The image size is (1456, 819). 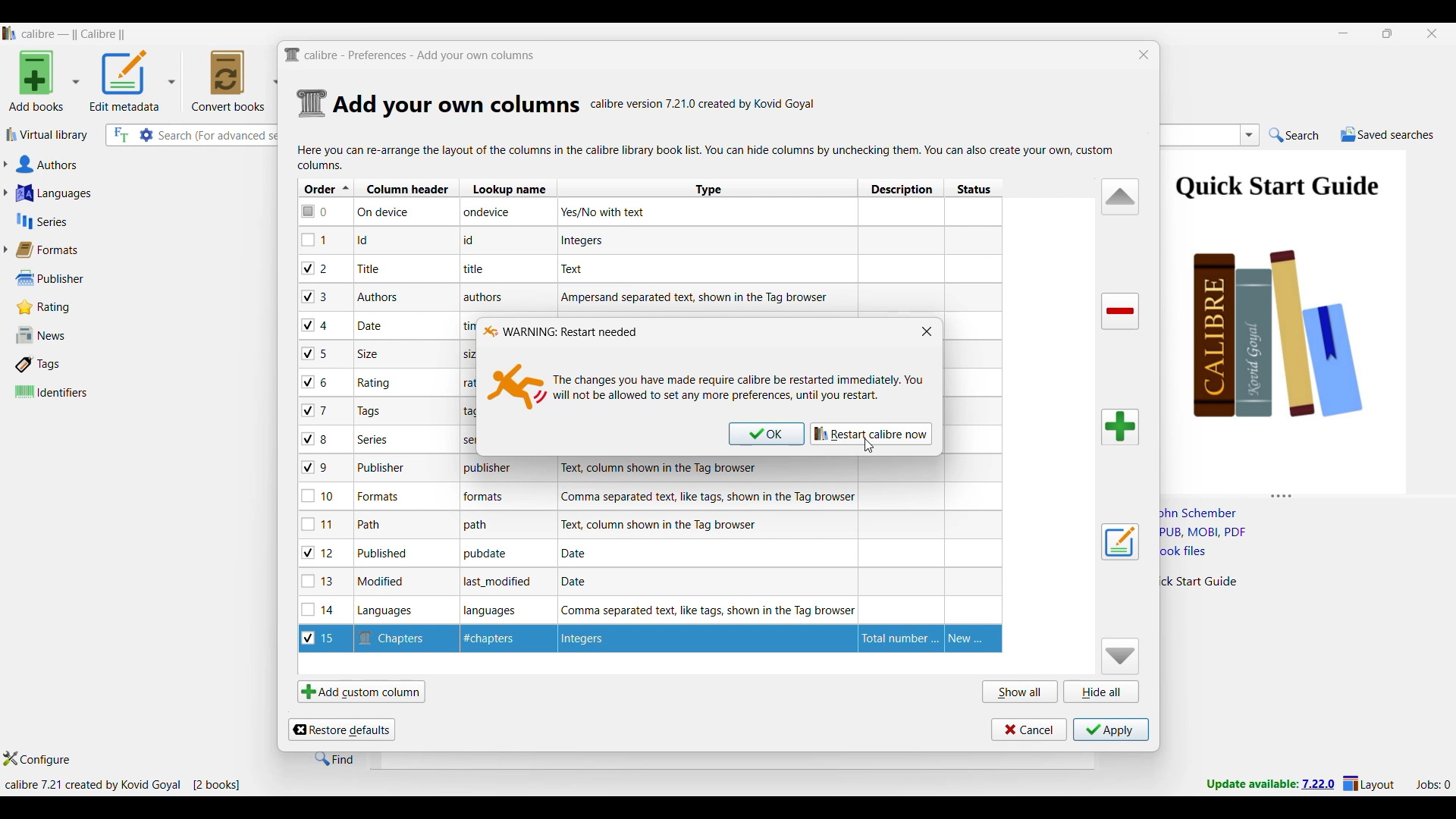 What do you see at coordinates (482, 440) in the screenshot?
I see `note` at bounding box center [482, 440].